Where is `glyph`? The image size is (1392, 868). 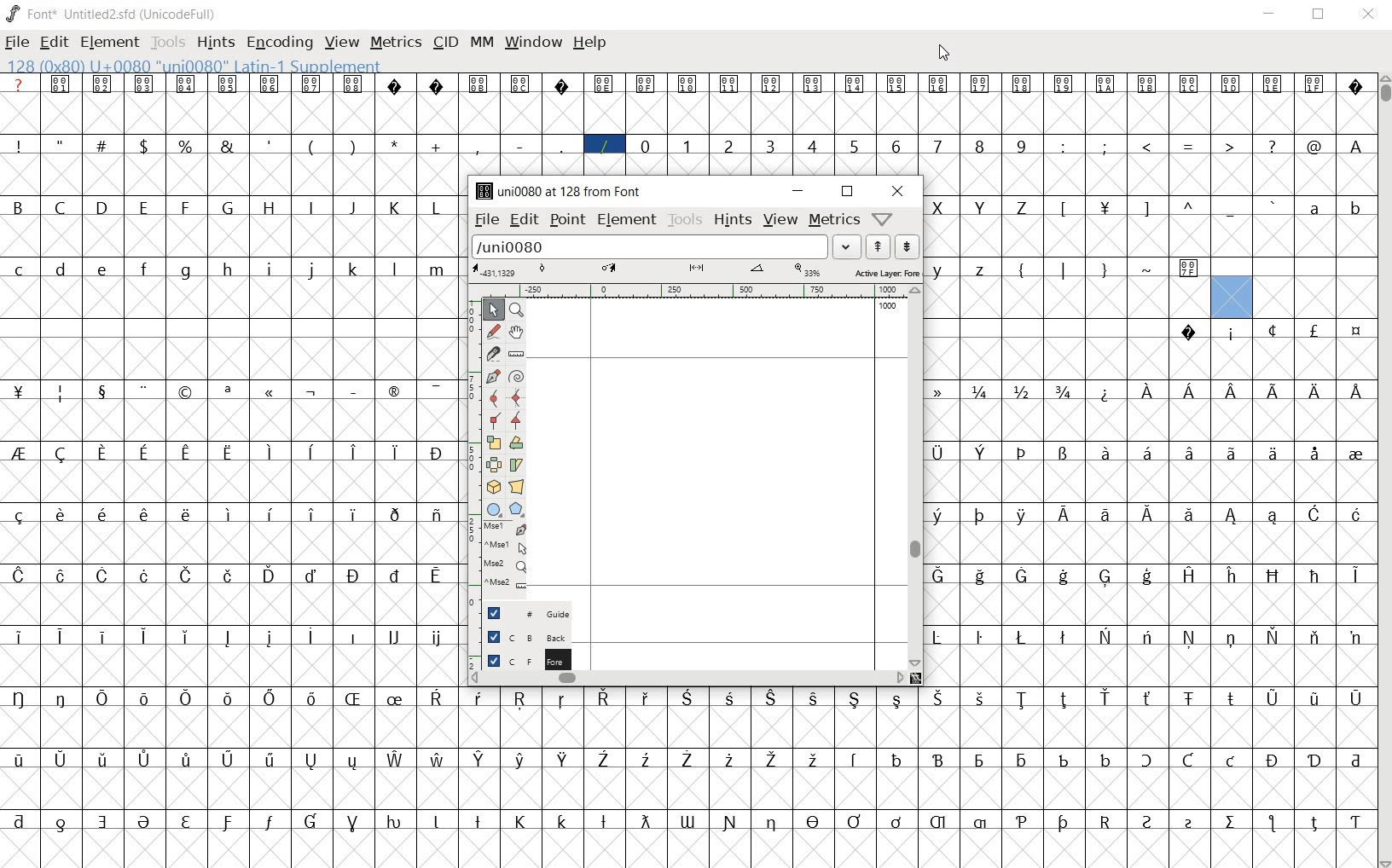 glyph is located at coordinates (811, 145).